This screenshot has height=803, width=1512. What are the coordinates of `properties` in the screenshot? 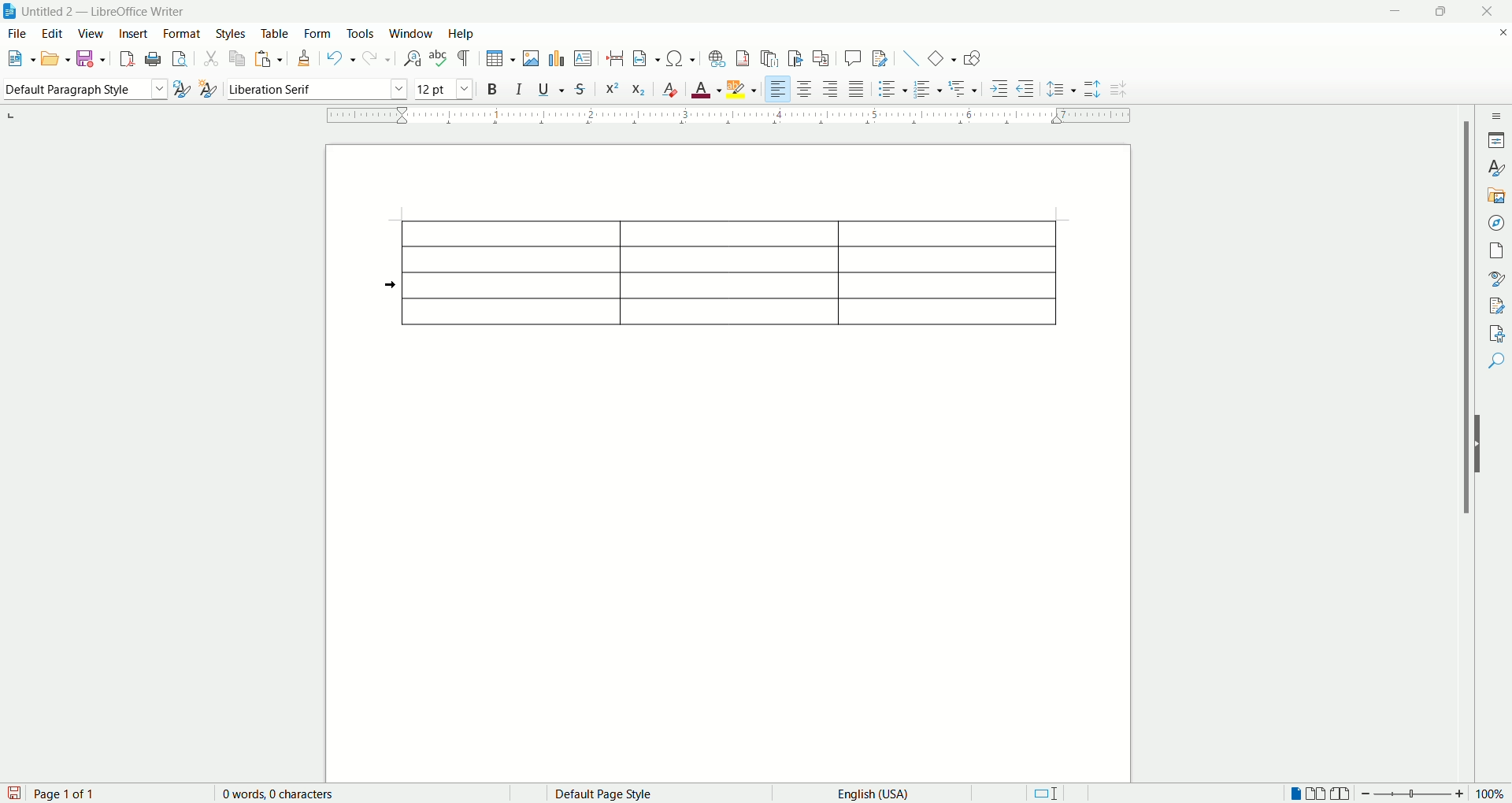 It's located at (1498, 141).